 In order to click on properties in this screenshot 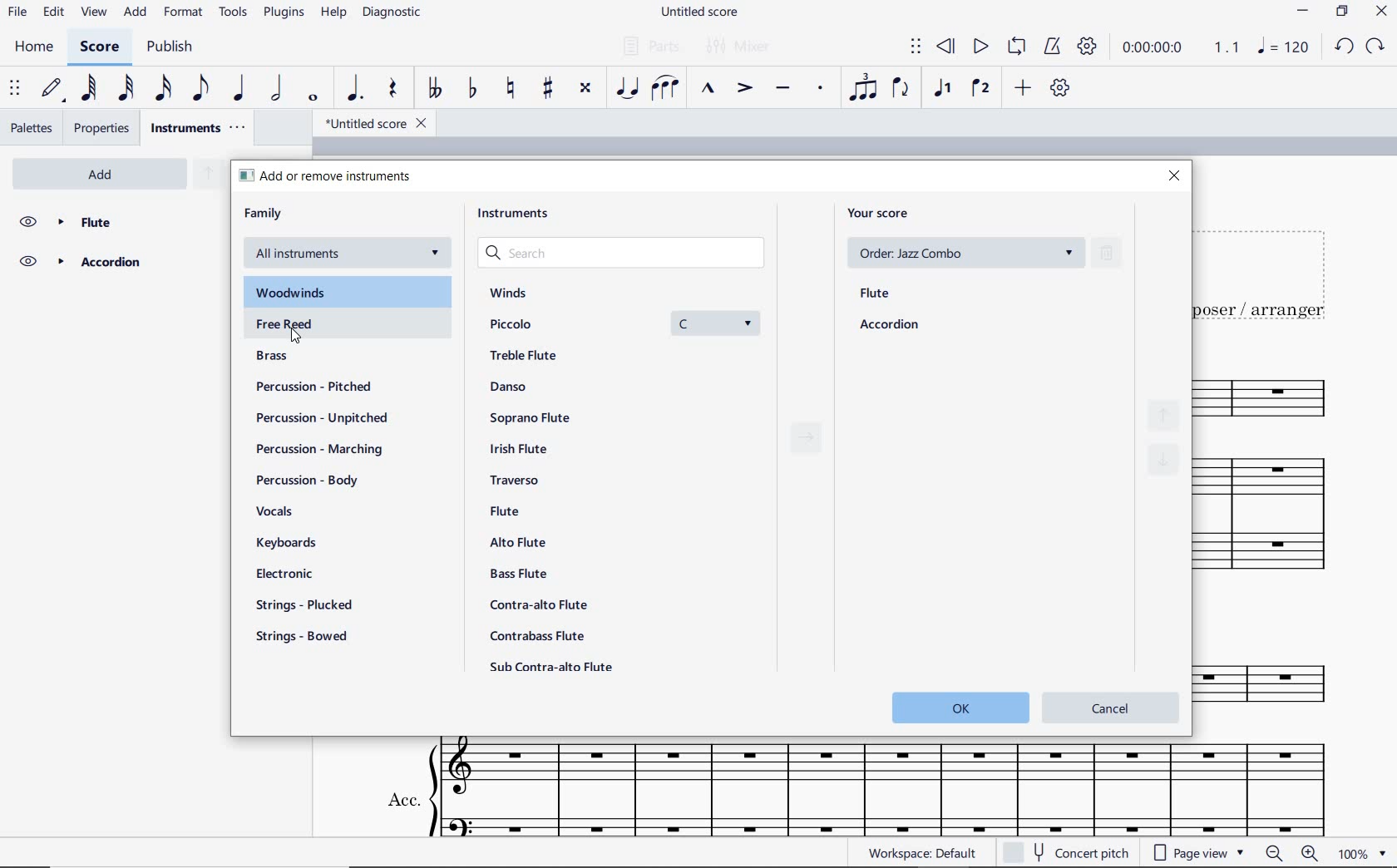, I will do `click(104, 128)`.